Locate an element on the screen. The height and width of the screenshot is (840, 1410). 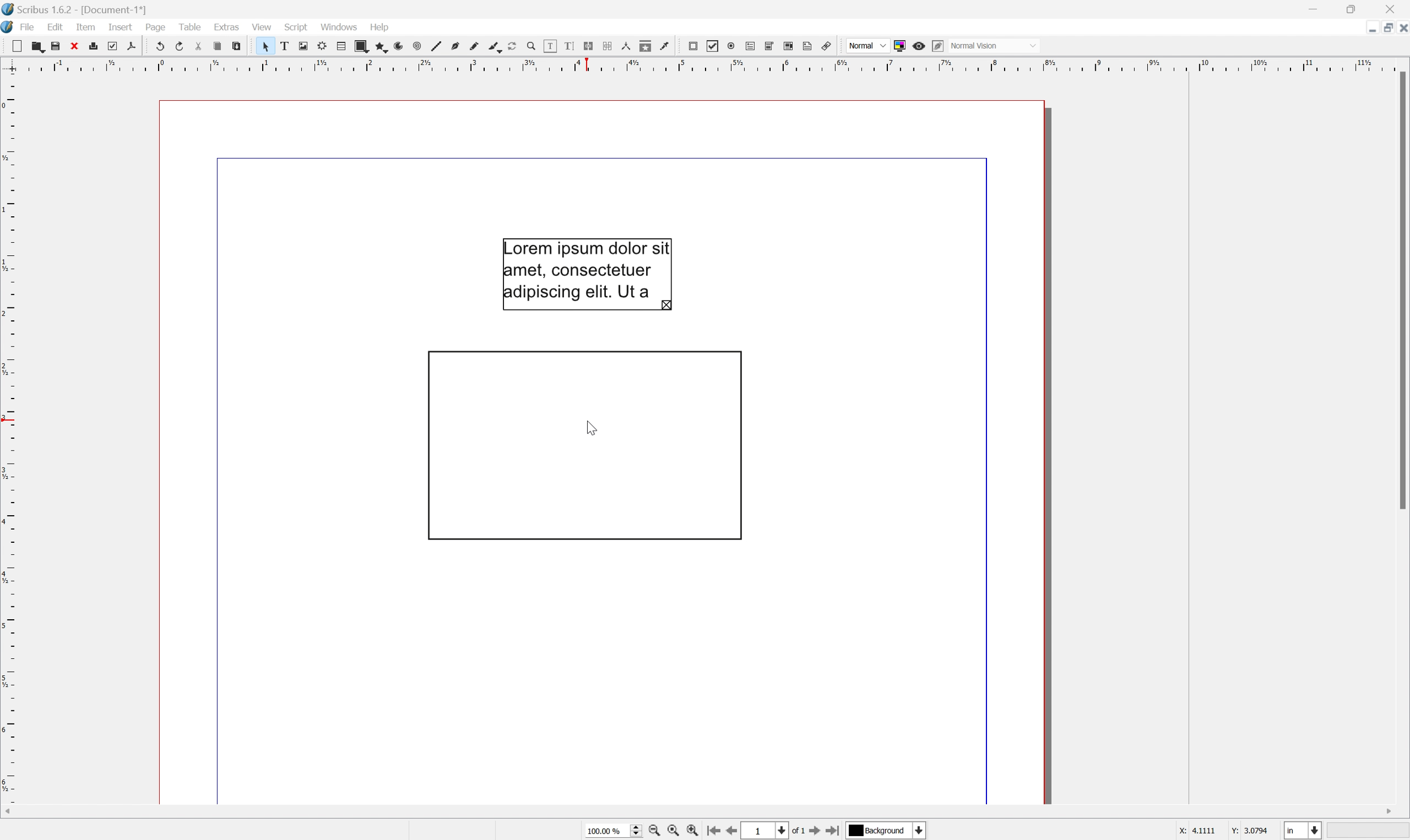
Copy is located at coordinates (218, 46).